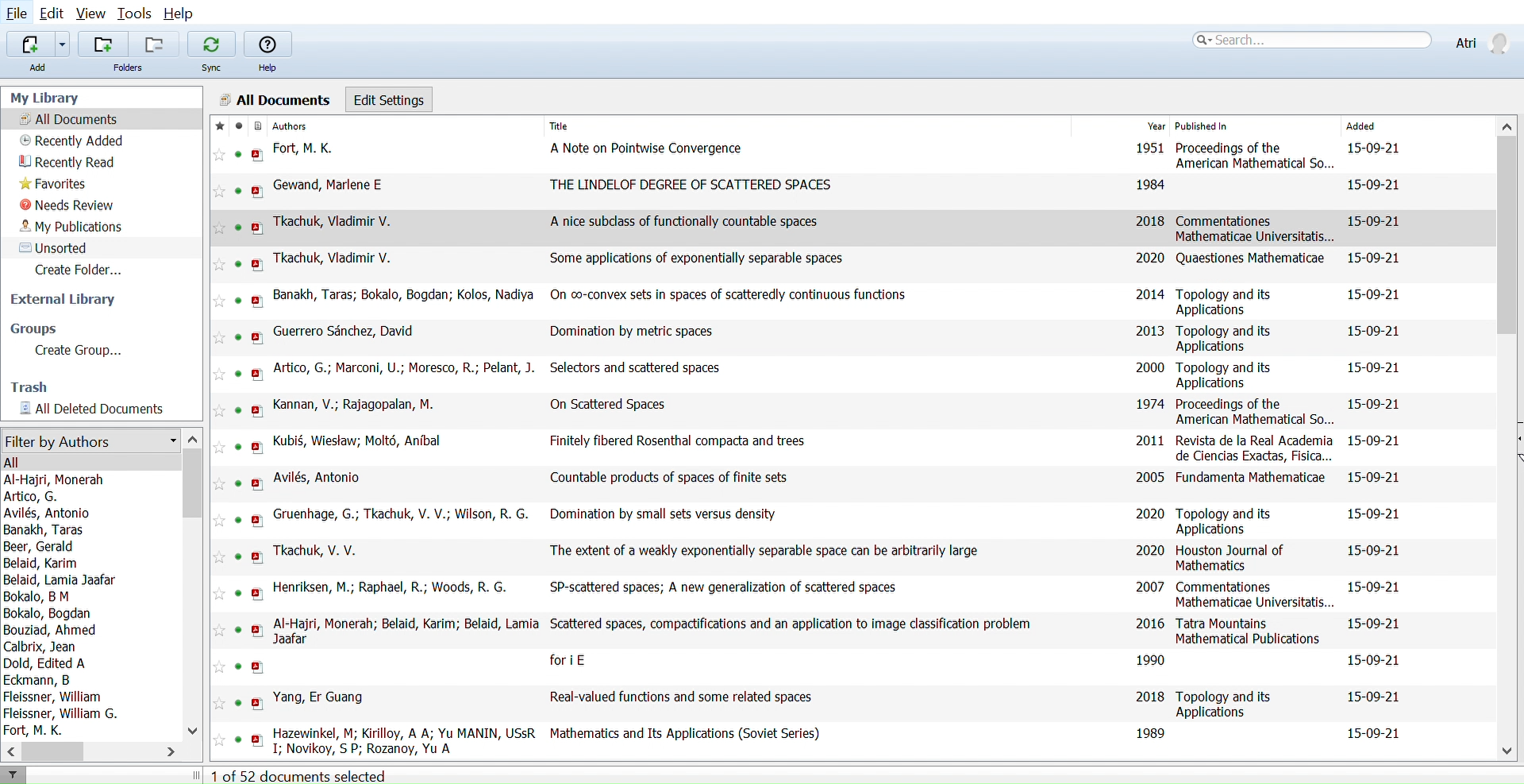 The height and width of the screenshot is (784, 1524). Describe the element at coordinates (65, 44) in the screenshot. I see `Add files options` at that location.